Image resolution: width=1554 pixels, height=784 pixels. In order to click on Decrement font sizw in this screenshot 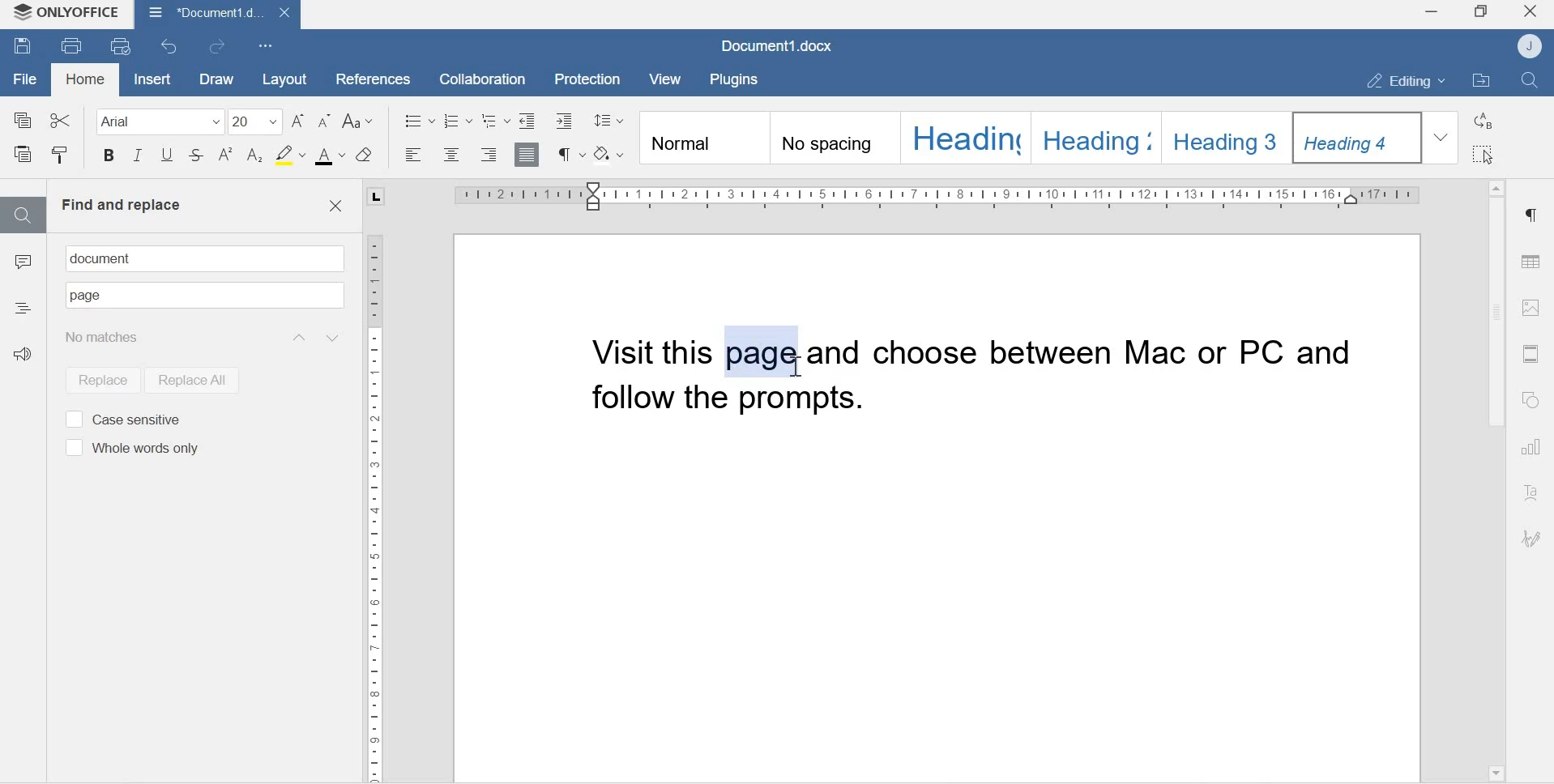, I will do `click(325, 121)`.